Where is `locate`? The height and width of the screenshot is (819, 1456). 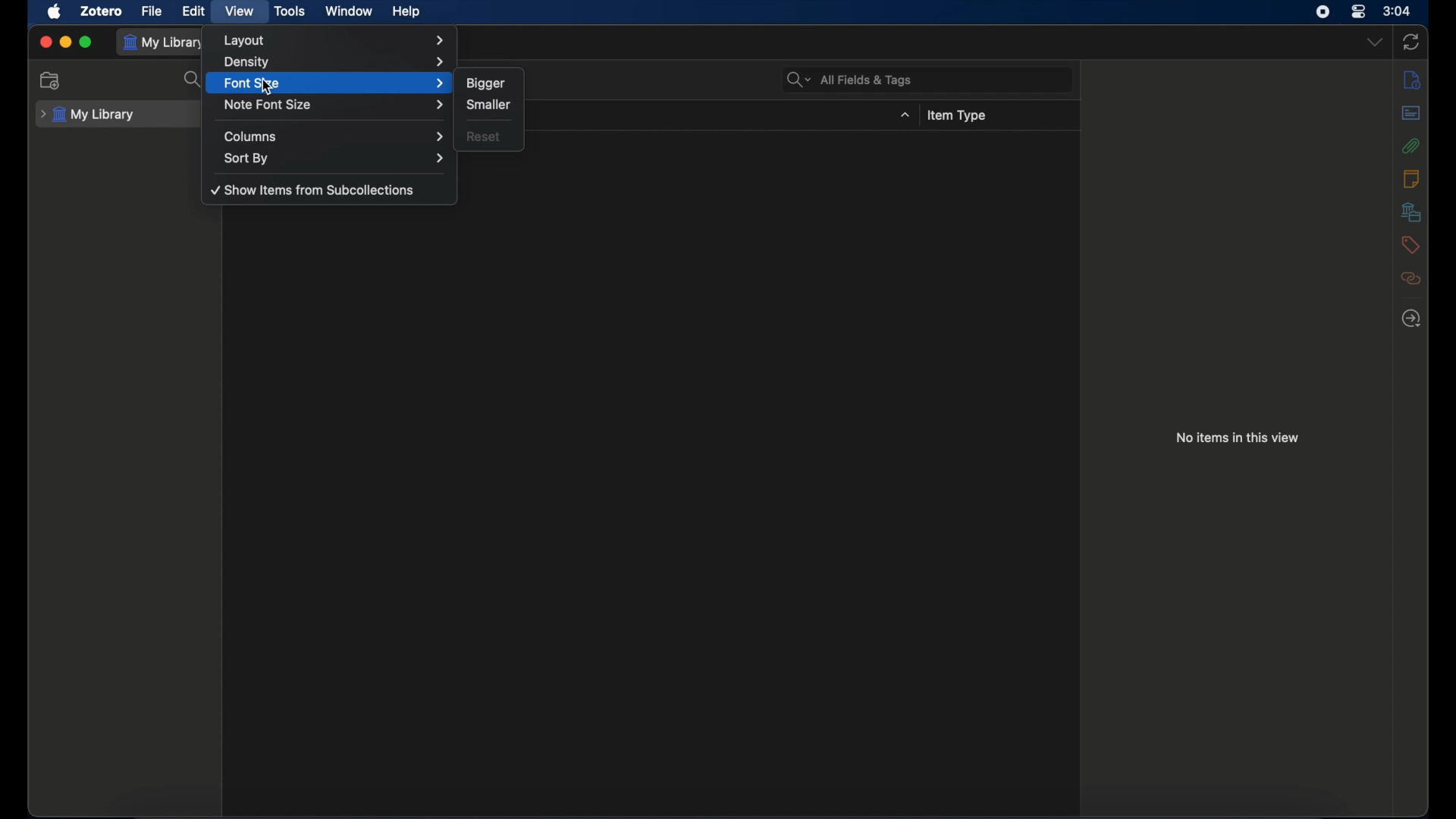 locate is located at coordinates (1412, 318).